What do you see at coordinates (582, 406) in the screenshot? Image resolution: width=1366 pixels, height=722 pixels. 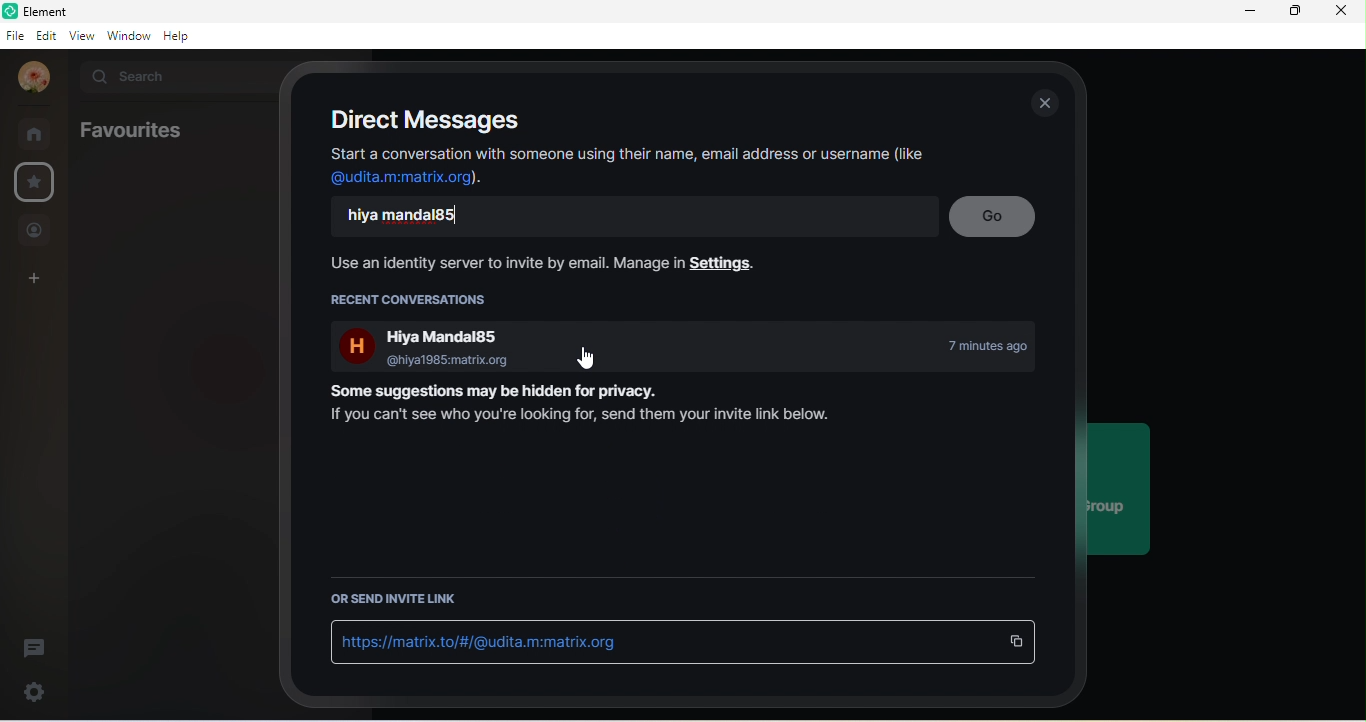 I see `Some suggestions may be hidden for privacy If you can't see who you're looking for, send them your invite link below.` at bounding box center [582, 406].